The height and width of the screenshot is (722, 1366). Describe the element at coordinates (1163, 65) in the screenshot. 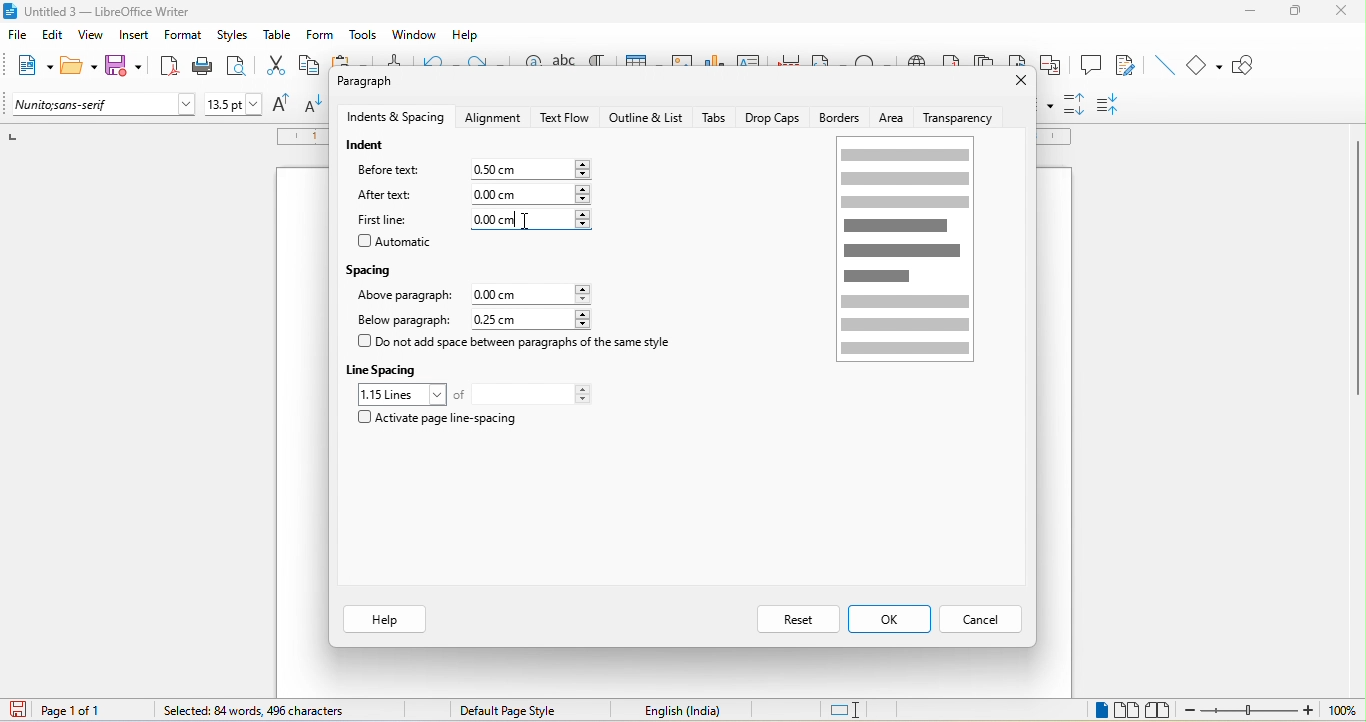

I see `insert line` at that location.